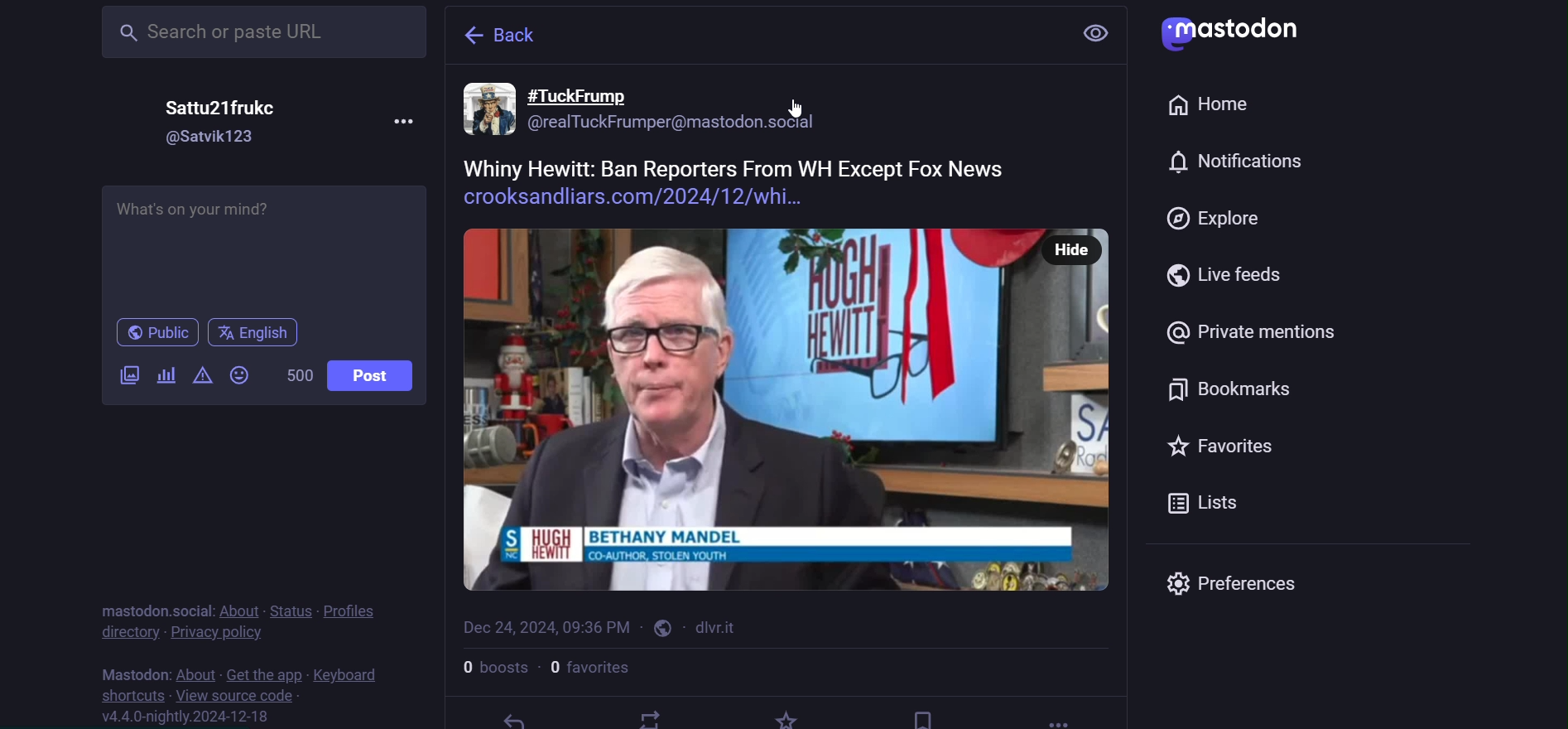 This screenshot has width=1568, height=729. What do you see at coordinates (662, 627) in the screenshot?
I see `public` at bounding box center [662, 627].